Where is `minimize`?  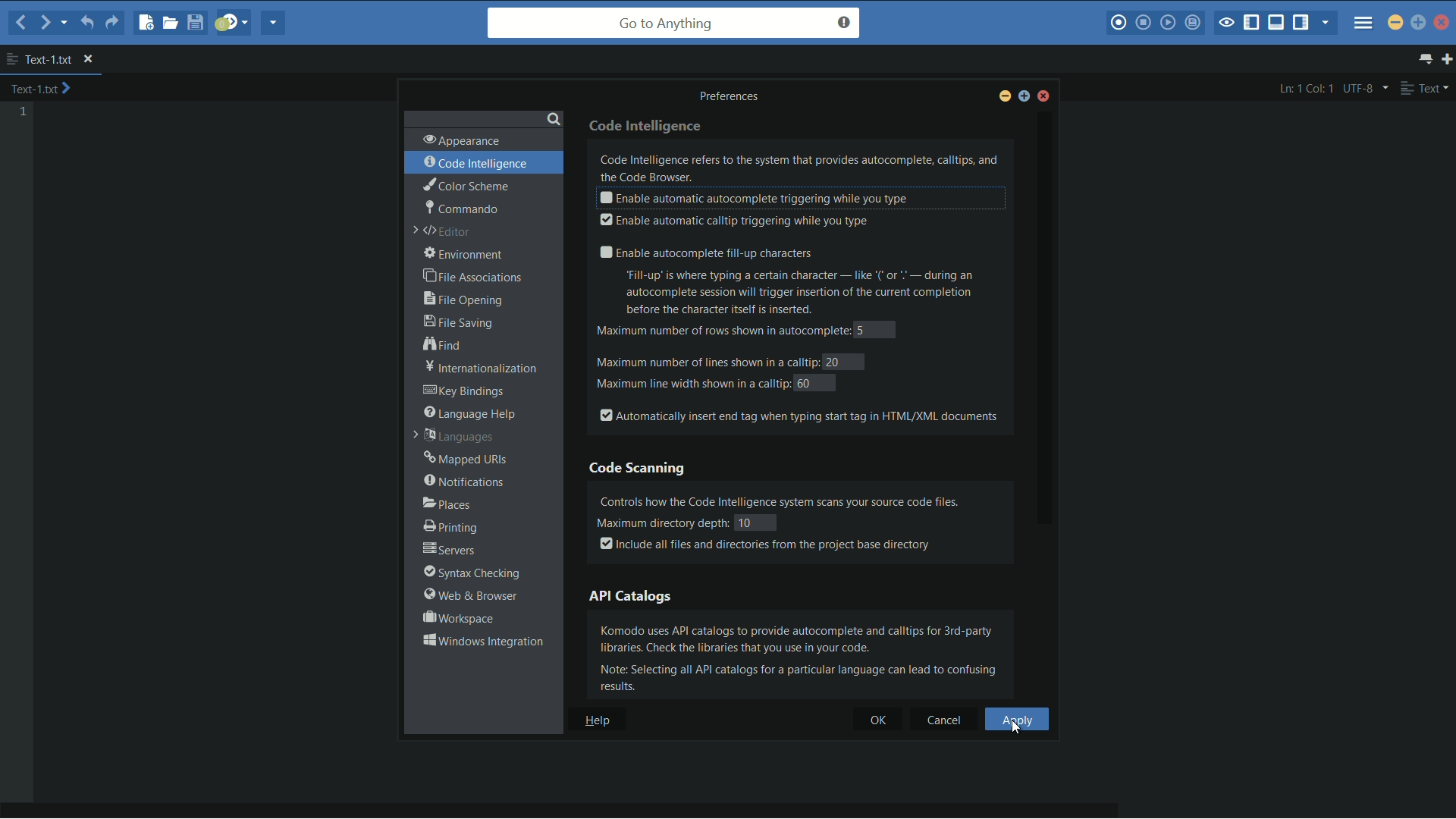
minimize is located at coordinates (1003, 98).